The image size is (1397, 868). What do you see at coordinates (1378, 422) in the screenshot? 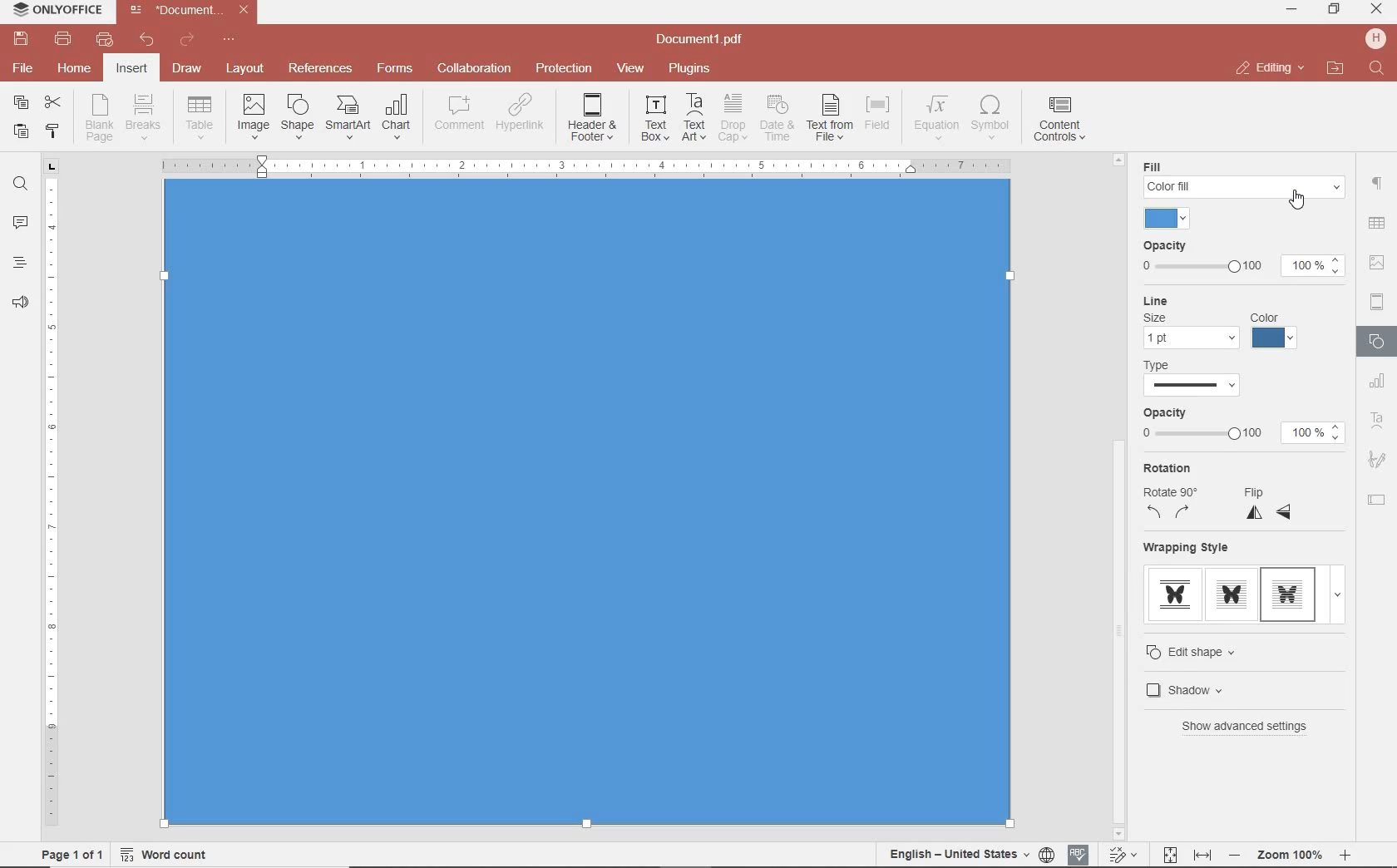
I see `TEXT ART` at bounding box center [1378, 422].